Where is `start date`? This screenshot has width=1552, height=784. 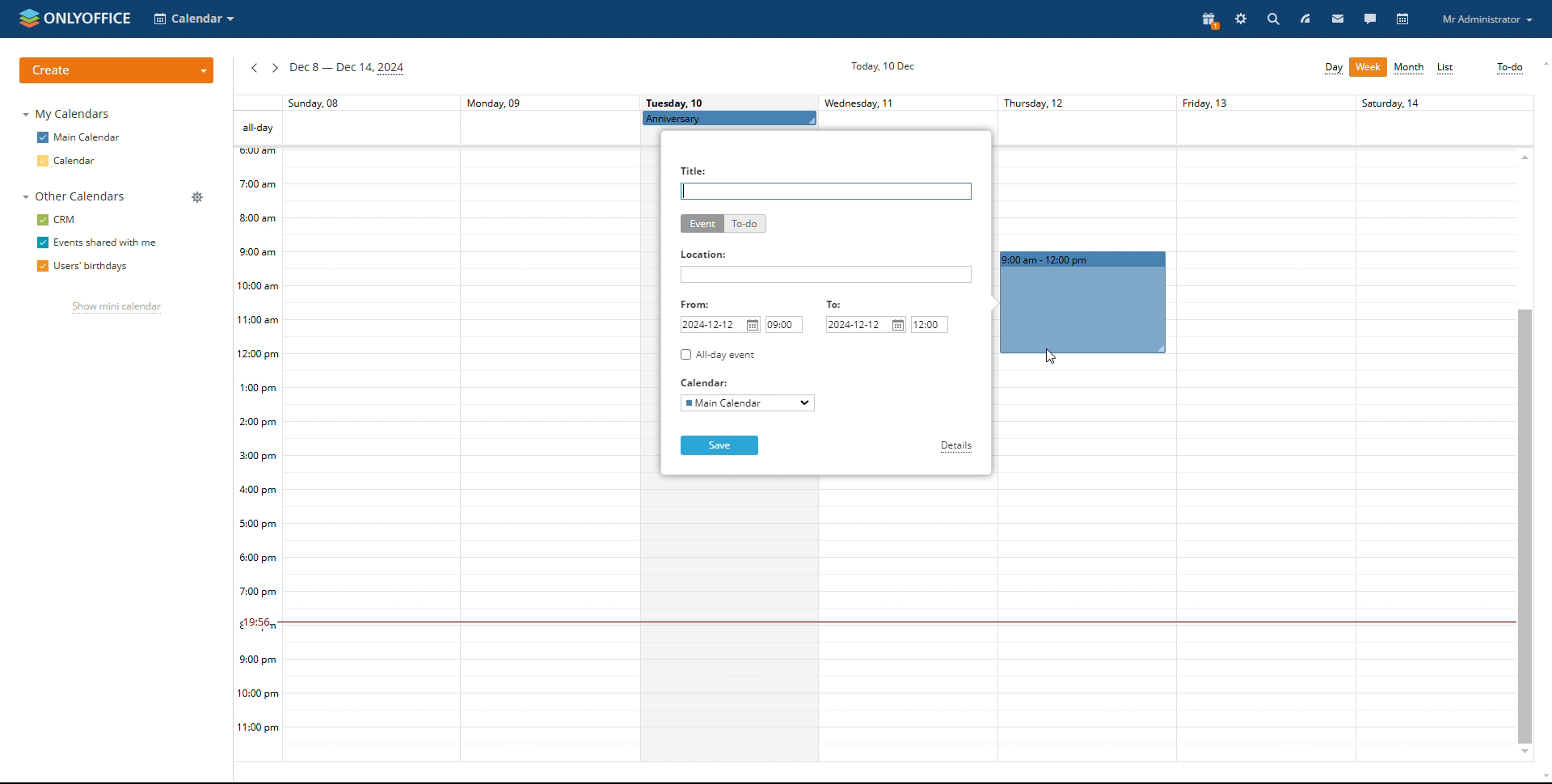
start date is located at coordinates (721, 325).